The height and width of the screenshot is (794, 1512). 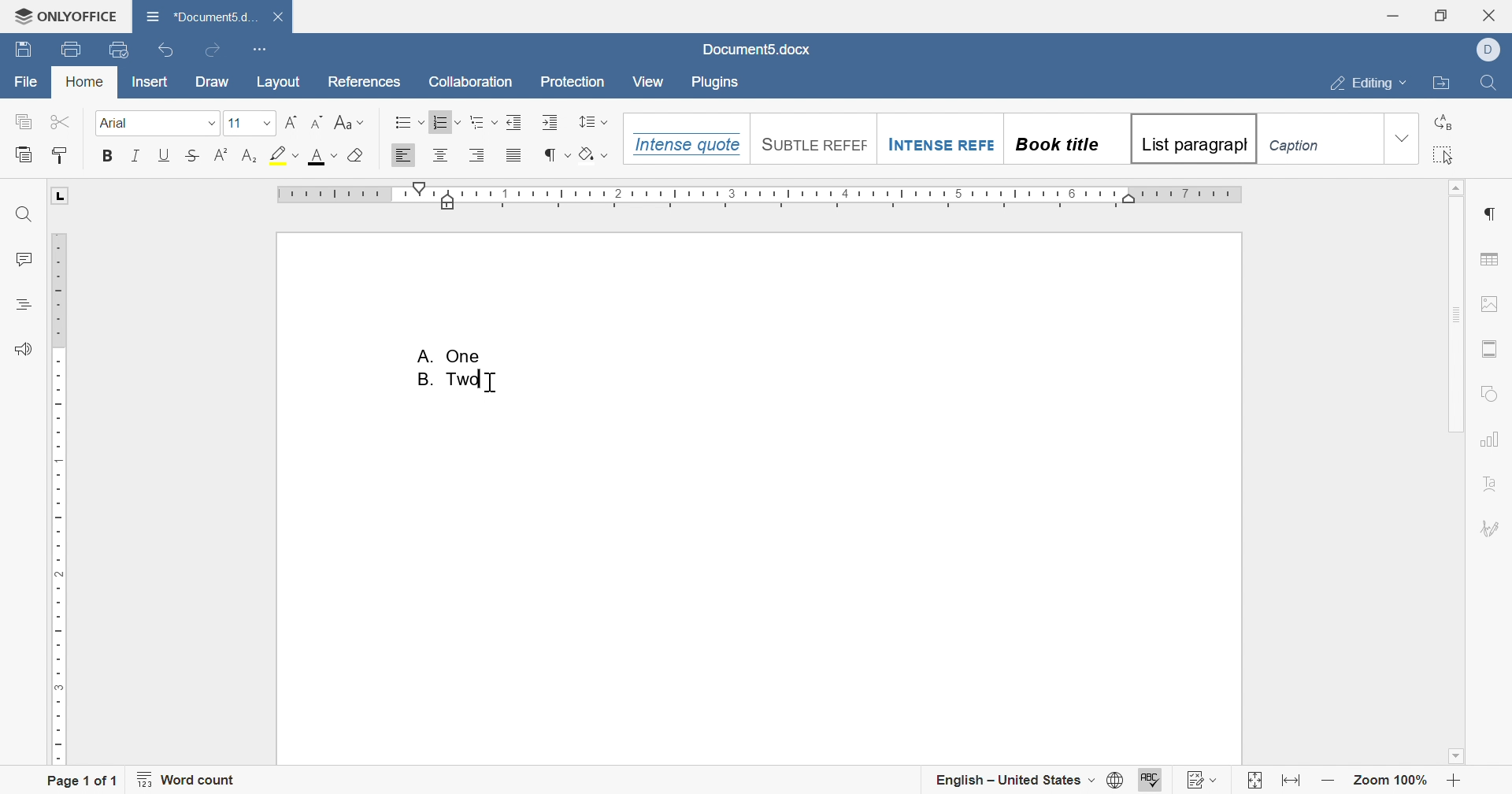 I want to click on Increment font size, so click(x=289, y=121).